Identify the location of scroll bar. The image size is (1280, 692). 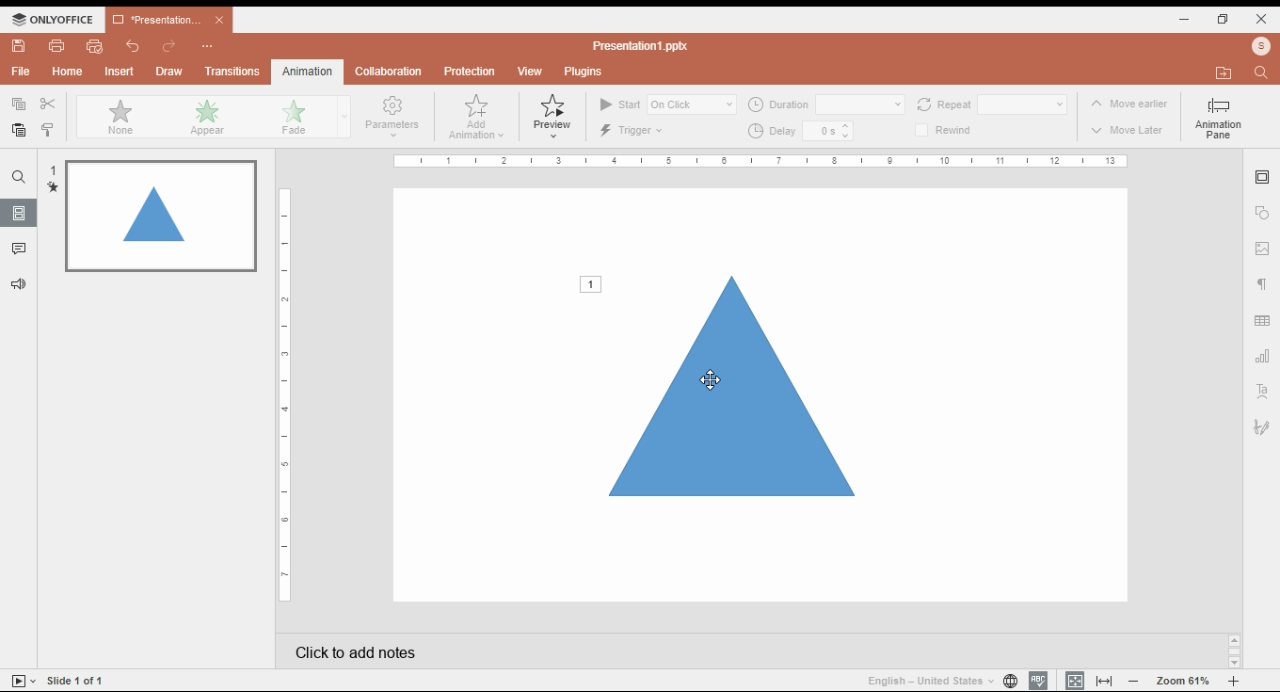
(1234, 653).